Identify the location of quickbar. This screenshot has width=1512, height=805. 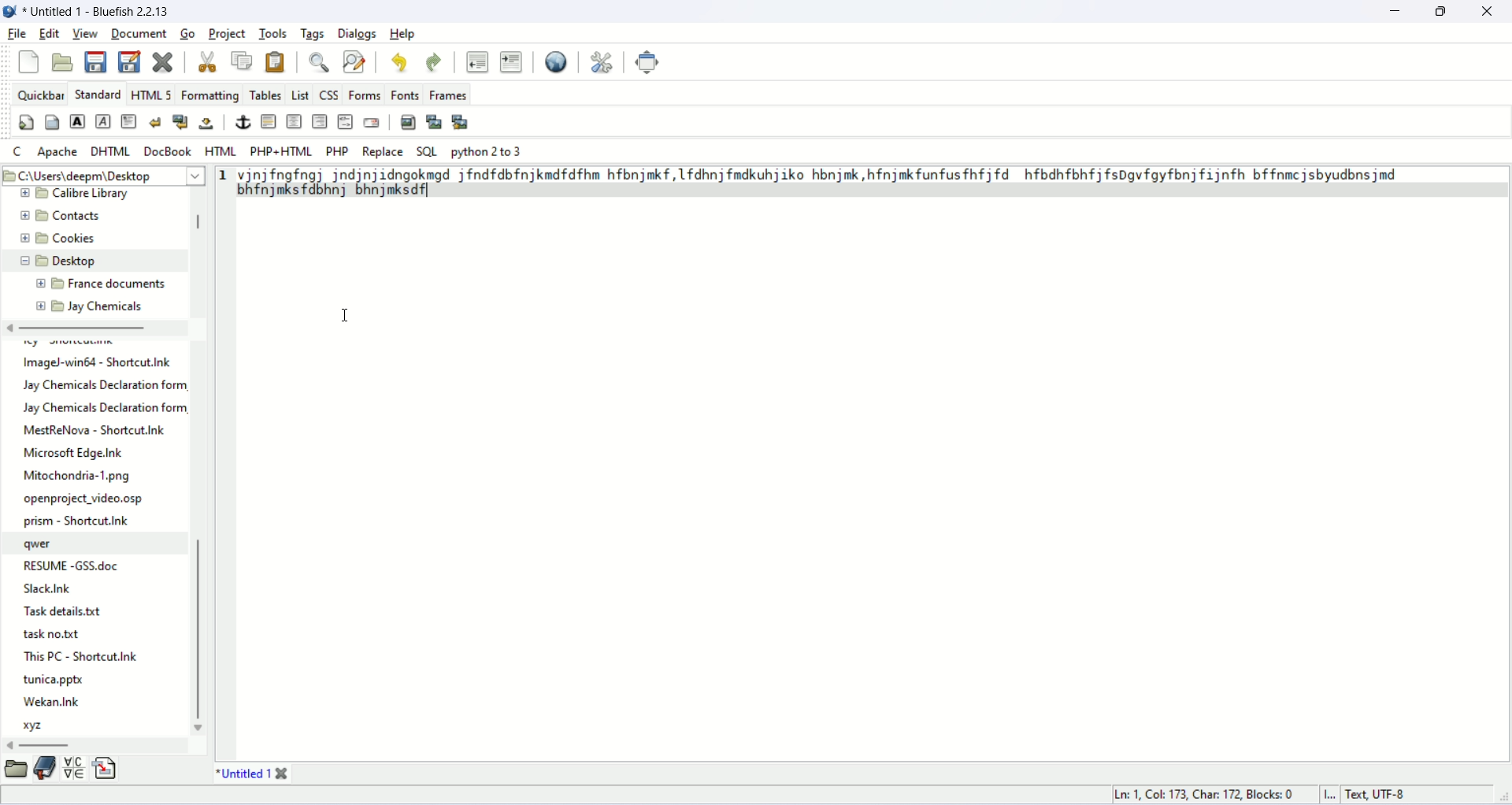
(41, 94).